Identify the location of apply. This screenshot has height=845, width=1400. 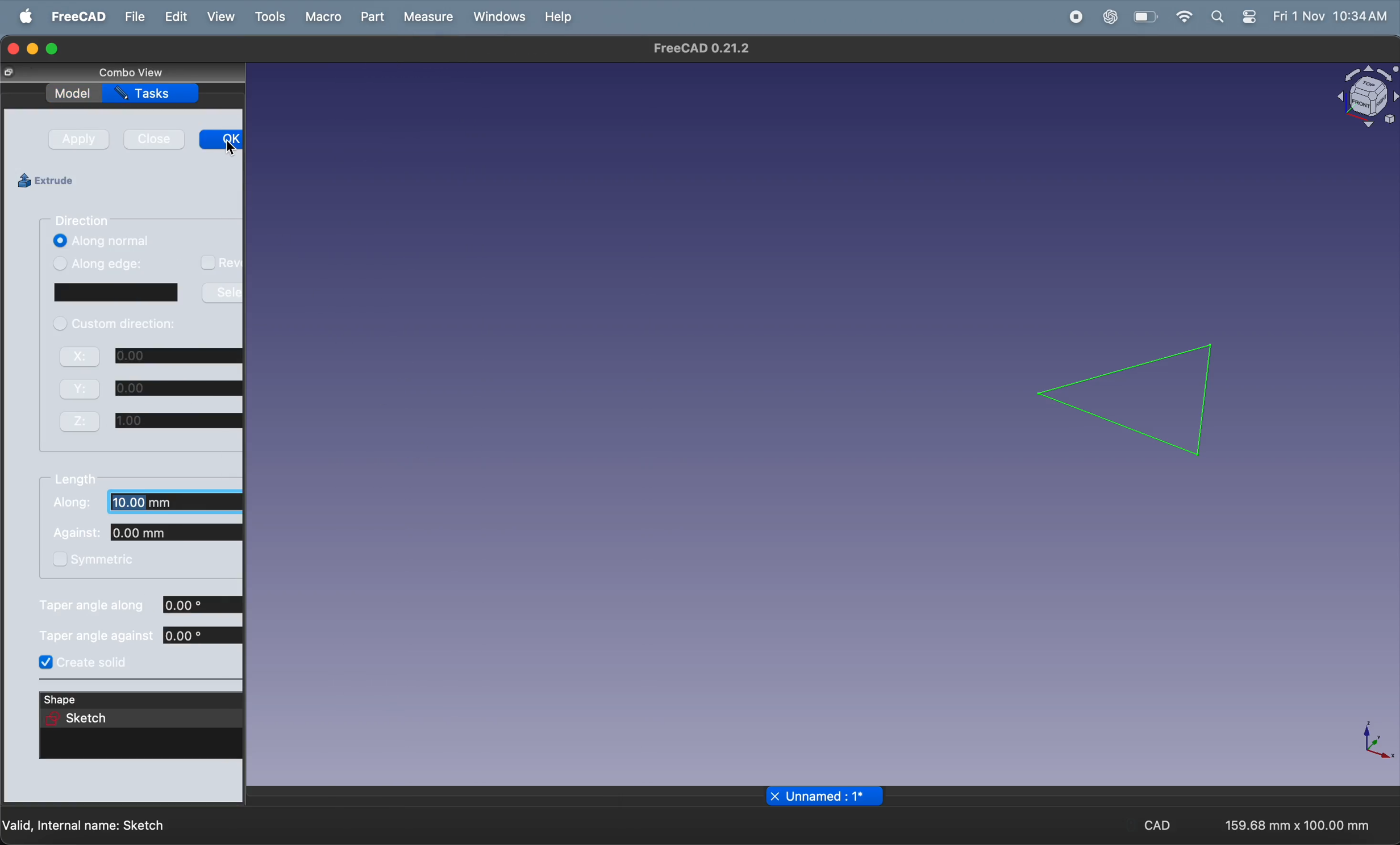
(77, 140).